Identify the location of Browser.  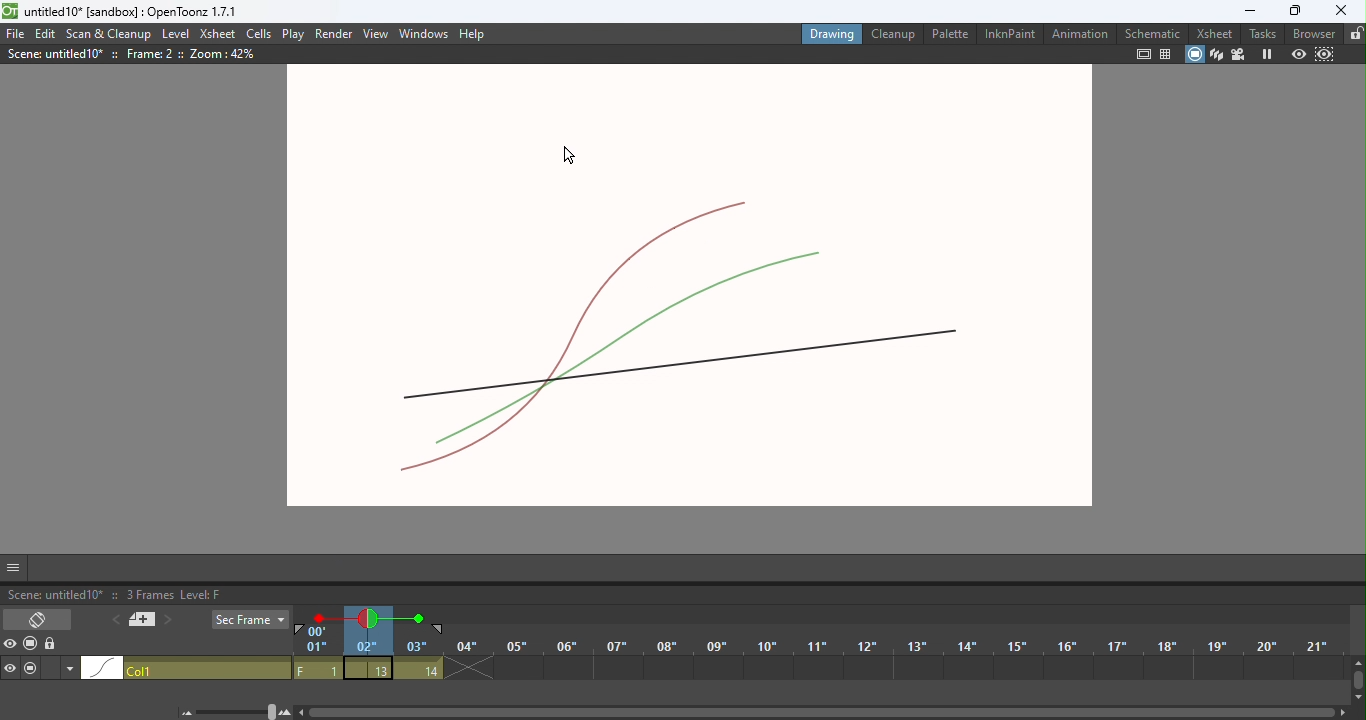
(1310, 32).